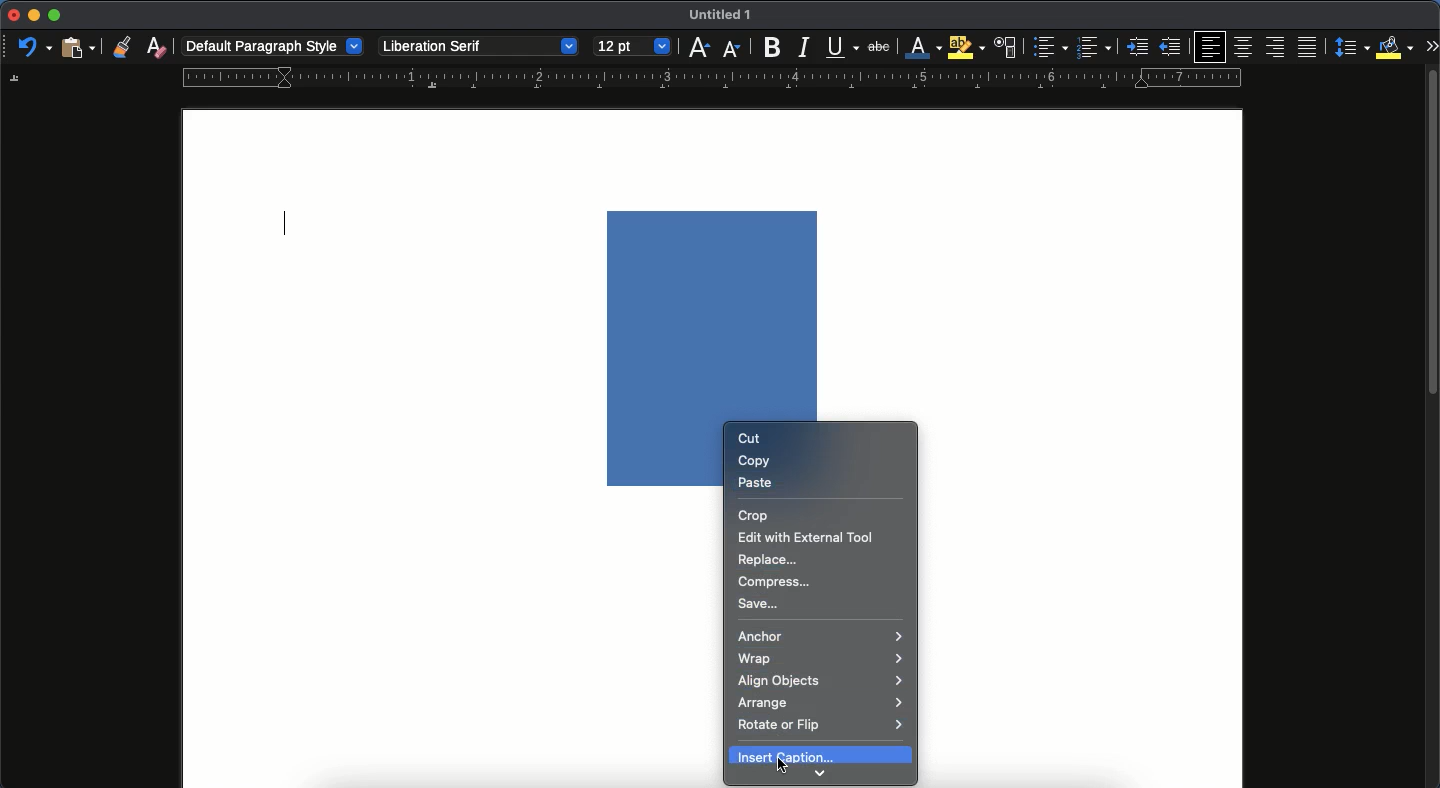 This screenshot has width=1440, height=788. Describe the element at coordinates (123, 48) in the screenshot. I see `clone formatting` at that location.